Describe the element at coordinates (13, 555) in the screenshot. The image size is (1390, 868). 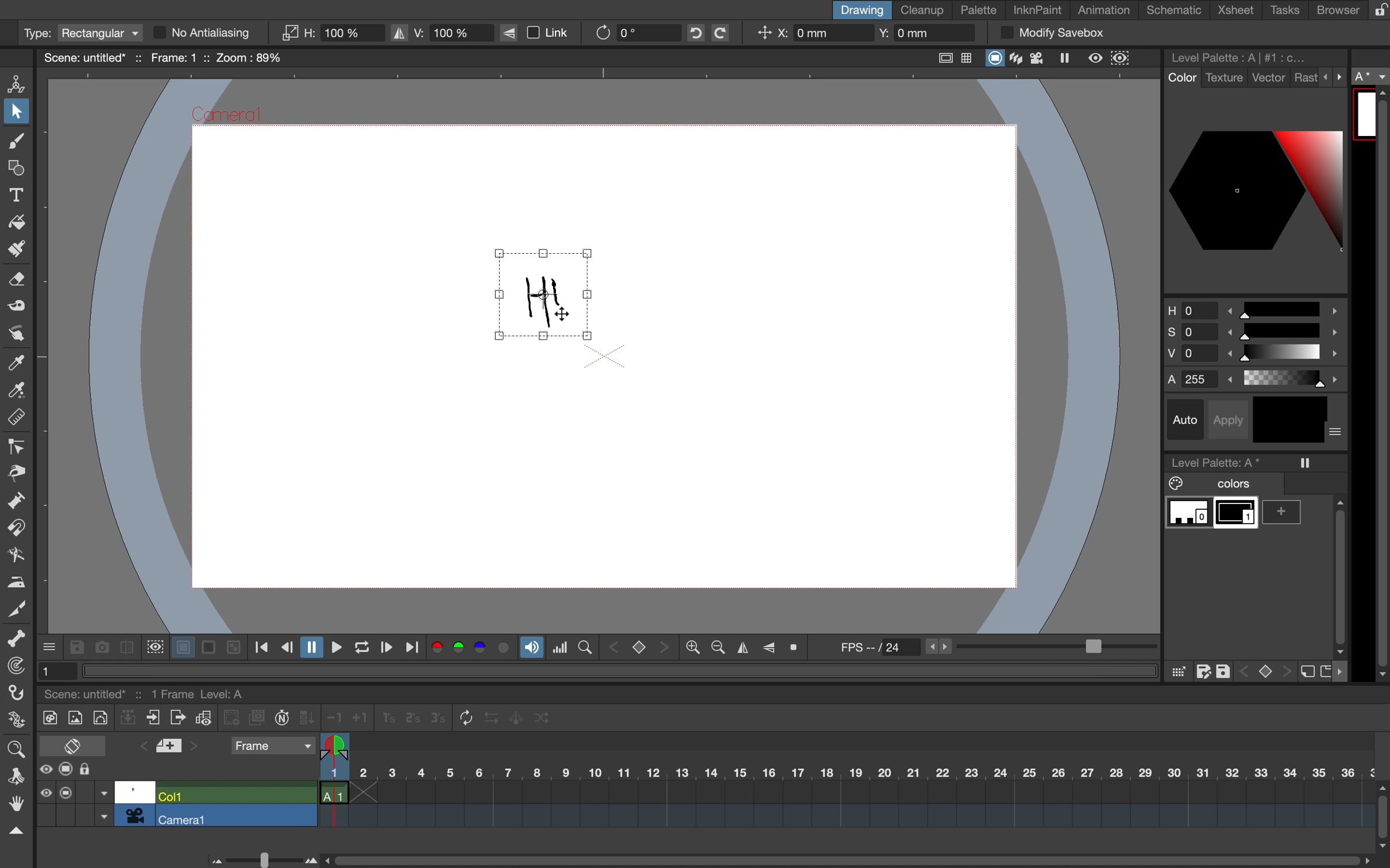
I see `bender tool` at that location.